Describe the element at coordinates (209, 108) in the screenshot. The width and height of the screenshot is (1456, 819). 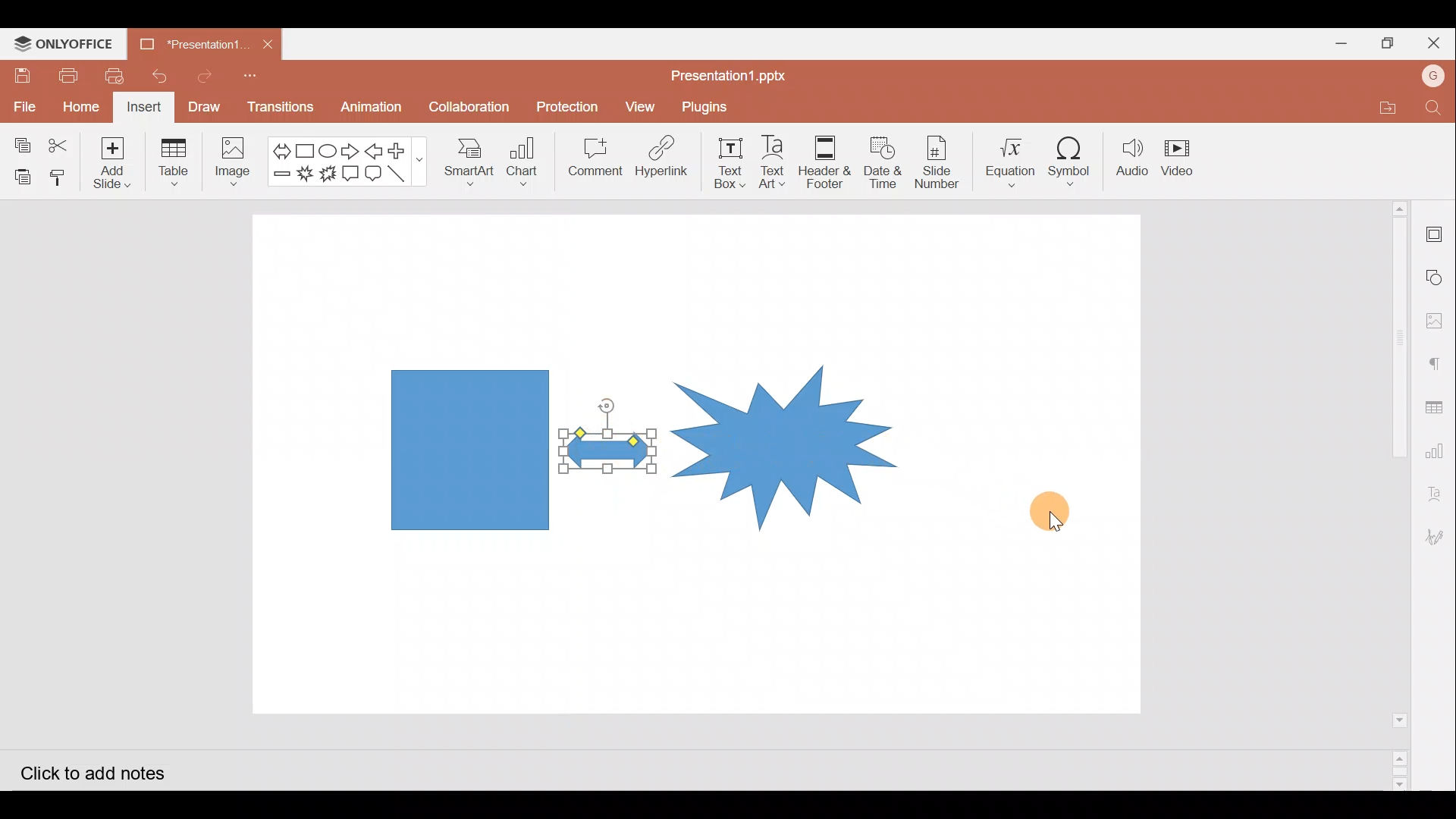
I see `Draw` at that location.